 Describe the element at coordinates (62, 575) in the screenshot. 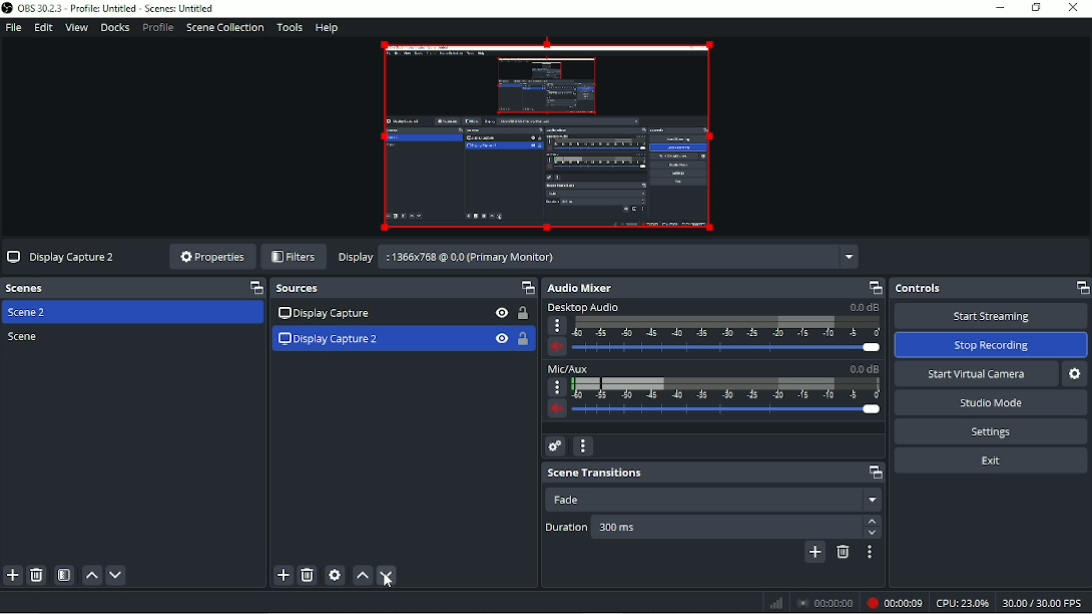

I see `Open scene filters` at that location.